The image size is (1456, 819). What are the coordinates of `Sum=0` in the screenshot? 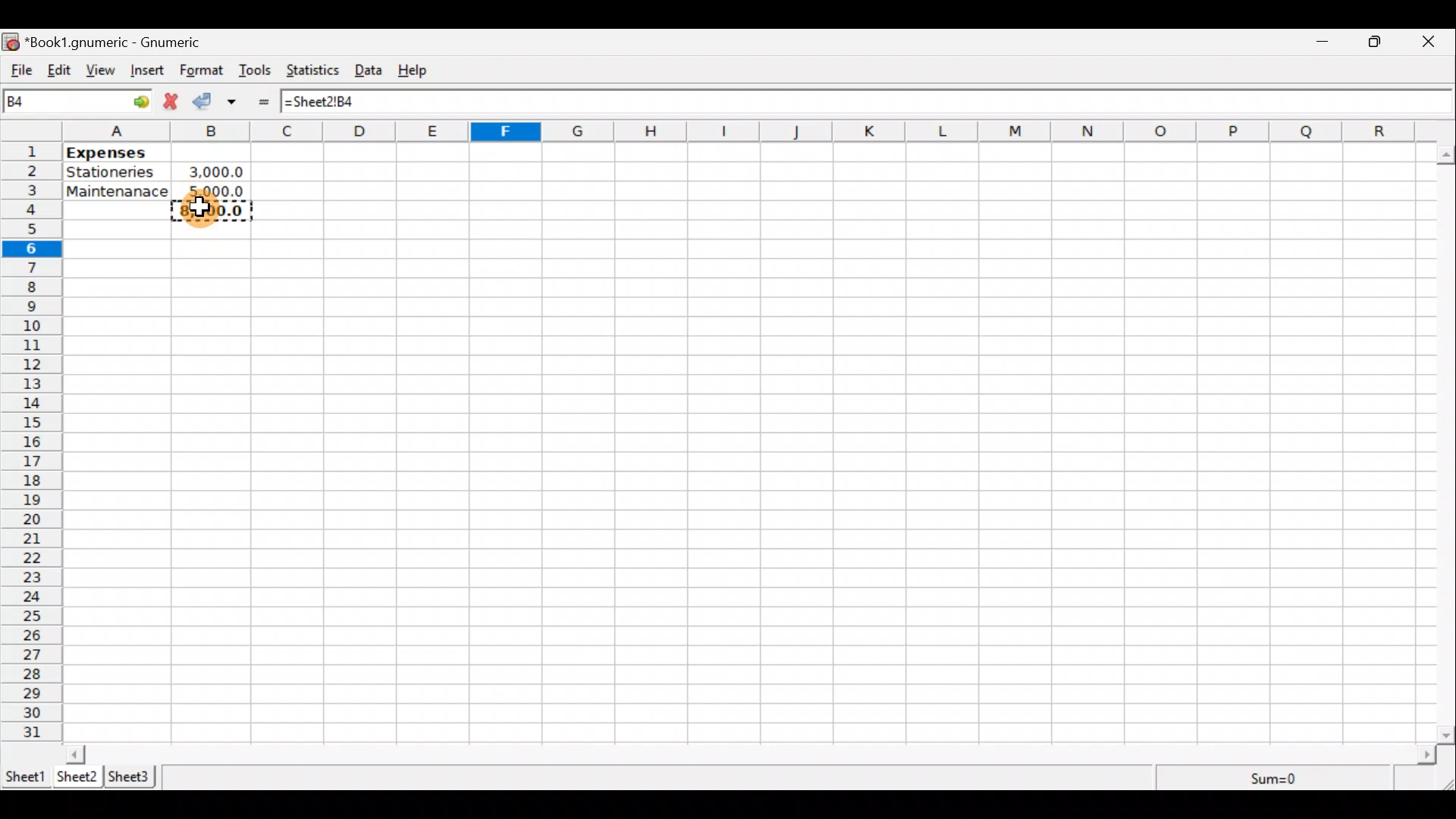 It's located at (1276, 780).